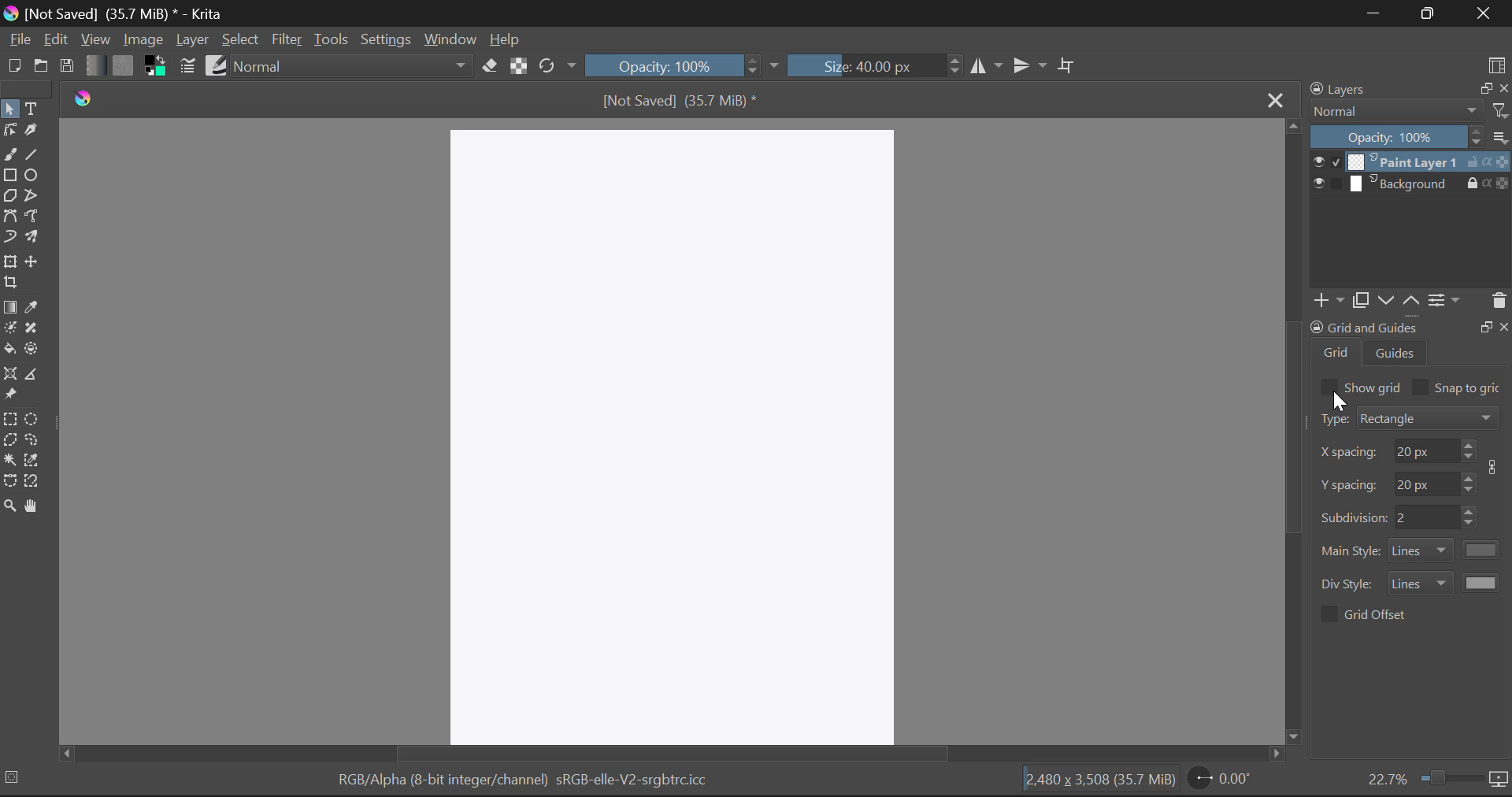 The image size is (1512, 797). Describe the element at coordinates (95, 39) in the screenshot. I see `View` at that location.